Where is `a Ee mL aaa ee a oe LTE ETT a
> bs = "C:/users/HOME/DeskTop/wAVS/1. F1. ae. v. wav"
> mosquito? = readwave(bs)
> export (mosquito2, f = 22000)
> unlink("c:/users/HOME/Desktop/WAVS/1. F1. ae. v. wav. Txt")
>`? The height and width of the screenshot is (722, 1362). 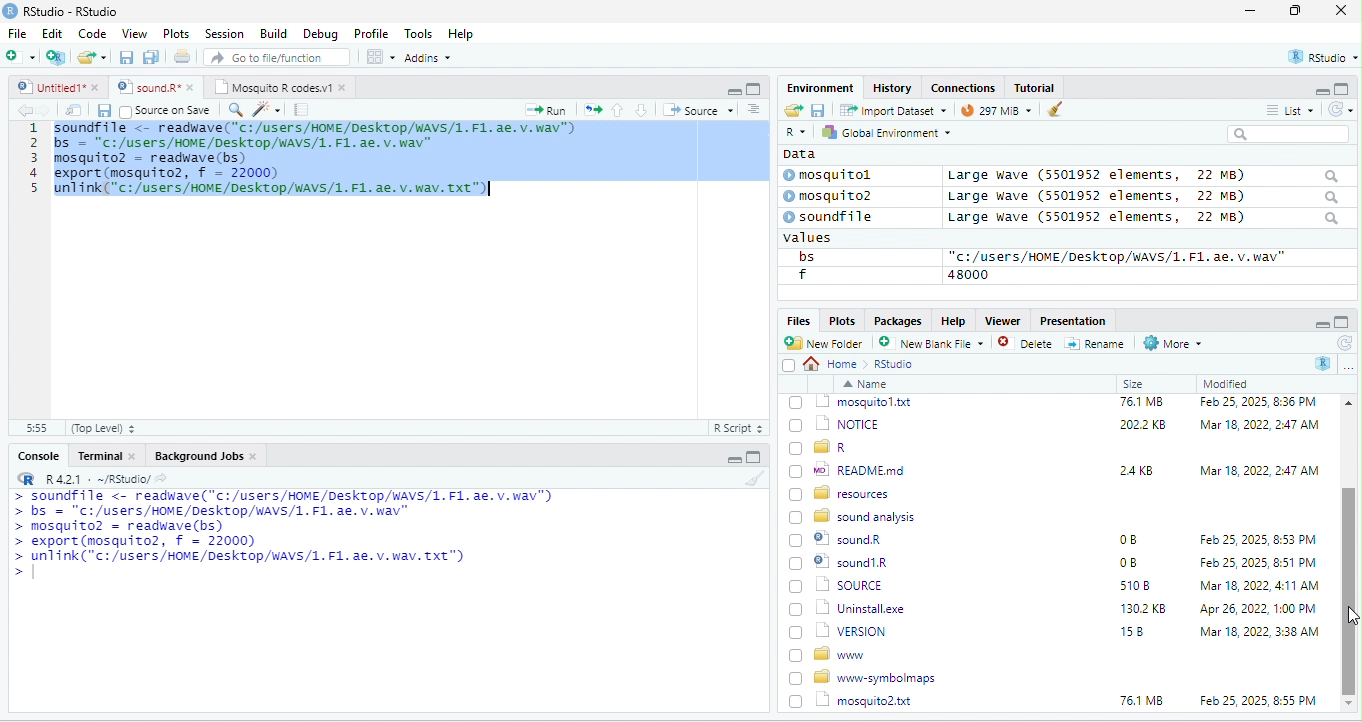 a Ee mL aaa ee a oe LTE ETT a
> bs = "C:/users/HOME/DeskTop/wAVS/1. F1. ae. v. wav"
> mosquito? = readwave(bs)
> export (mosquito2, f = 22000)
> unlink("c:/users/HOME/Desktop/WAVS/1. F1. ae. v. wav. Txt")
> is located at coordinates (315, 554).